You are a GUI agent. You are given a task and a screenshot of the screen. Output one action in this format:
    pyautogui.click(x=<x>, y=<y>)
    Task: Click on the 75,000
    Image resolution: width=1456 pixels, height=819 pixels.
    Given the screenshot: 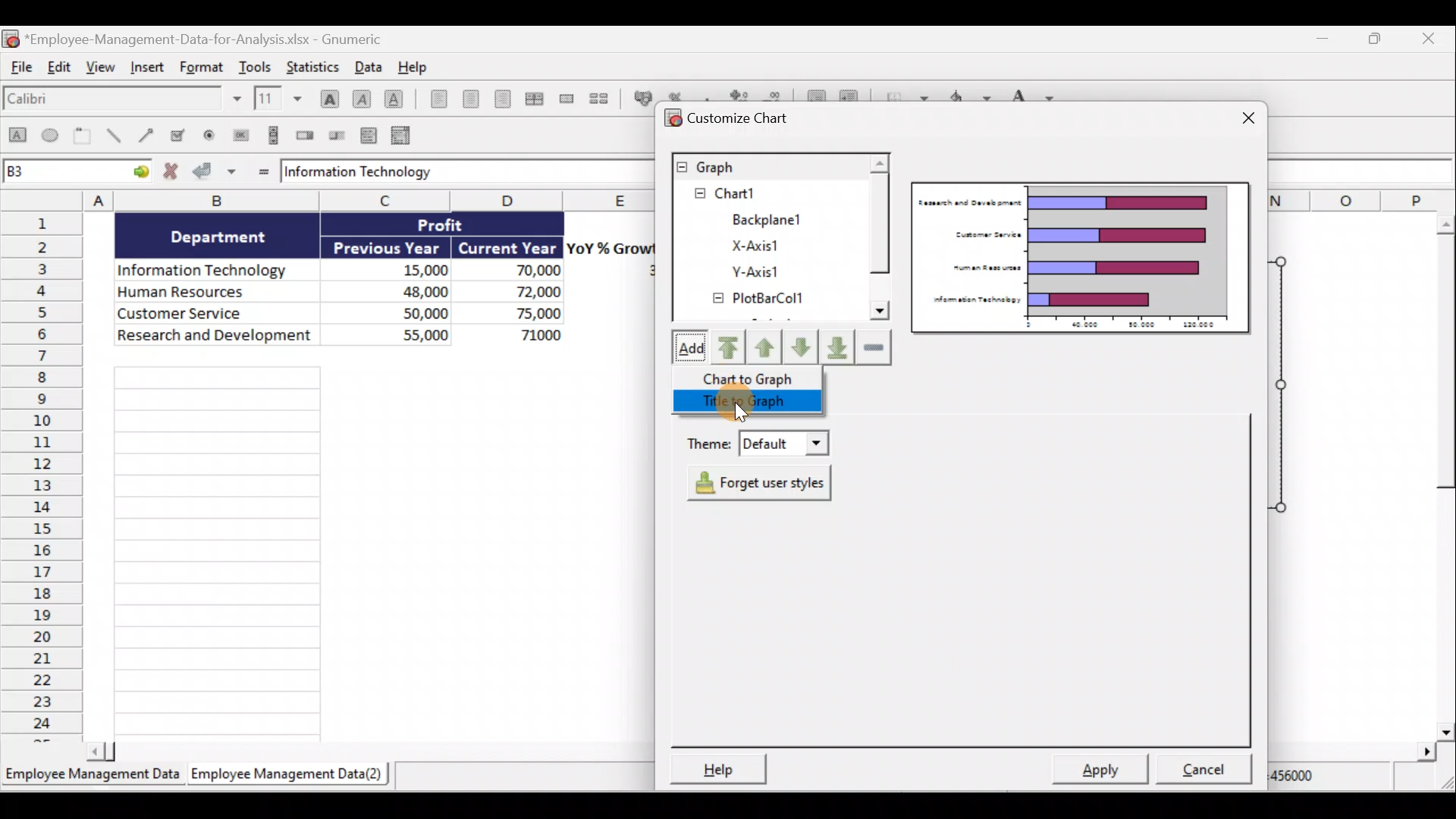 What is the action you would take?
    pyautogui.click(x=525, y=314)
    